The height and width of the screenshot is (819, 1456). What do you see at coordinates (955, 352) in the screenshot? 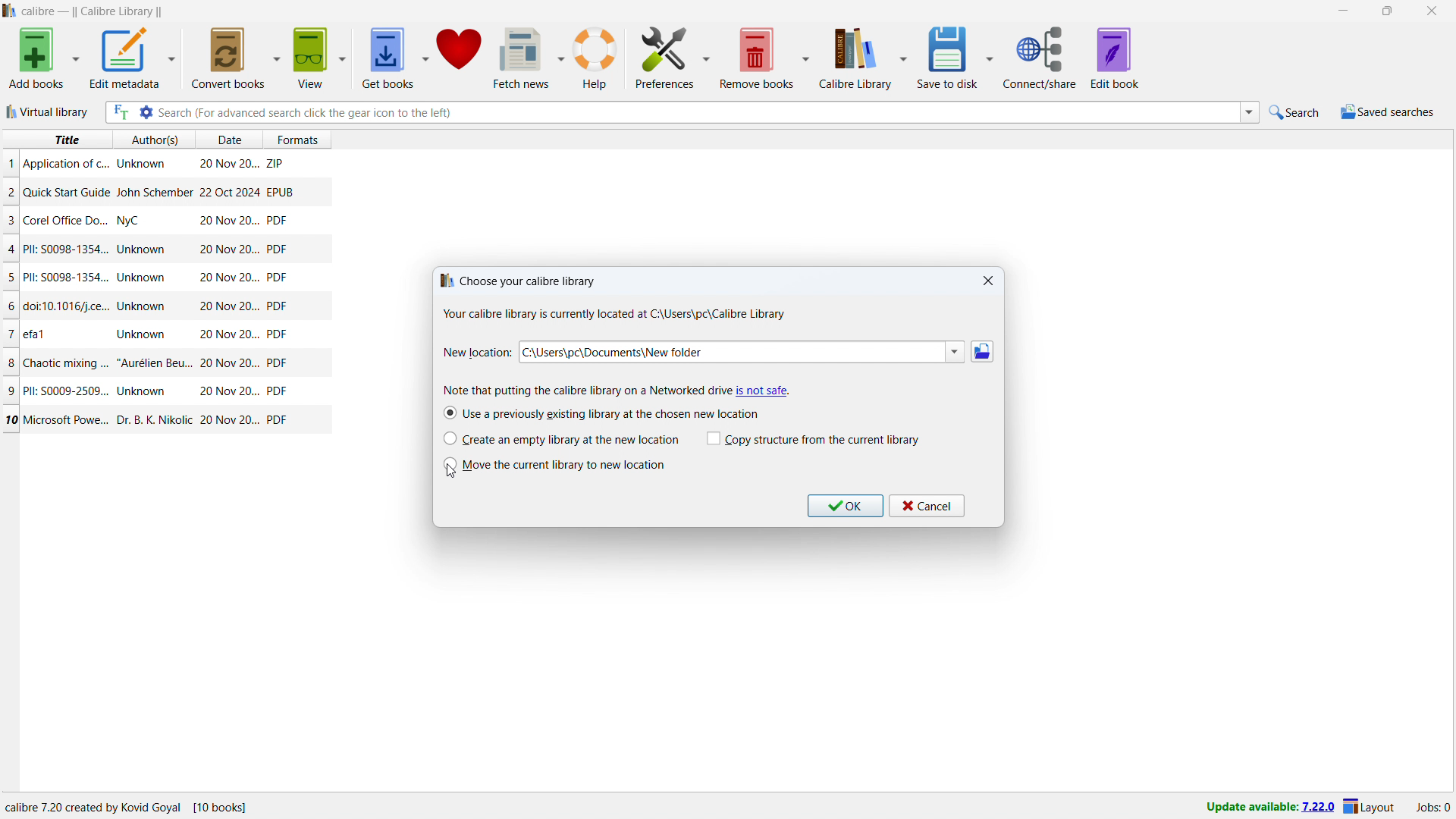
I see `location history` at bounding box center [955, 352].